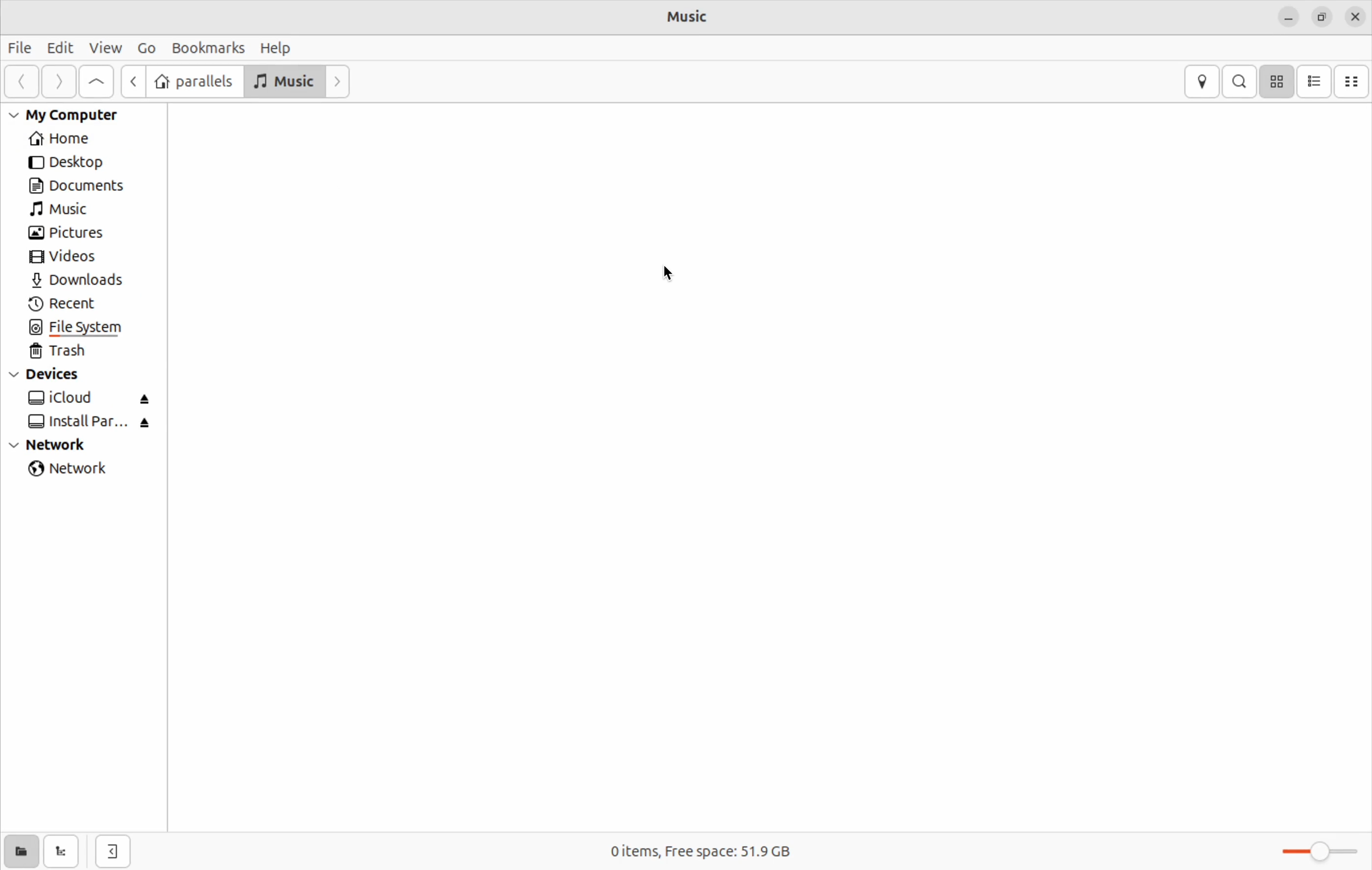  I want to click on close, so click(1357, 18).